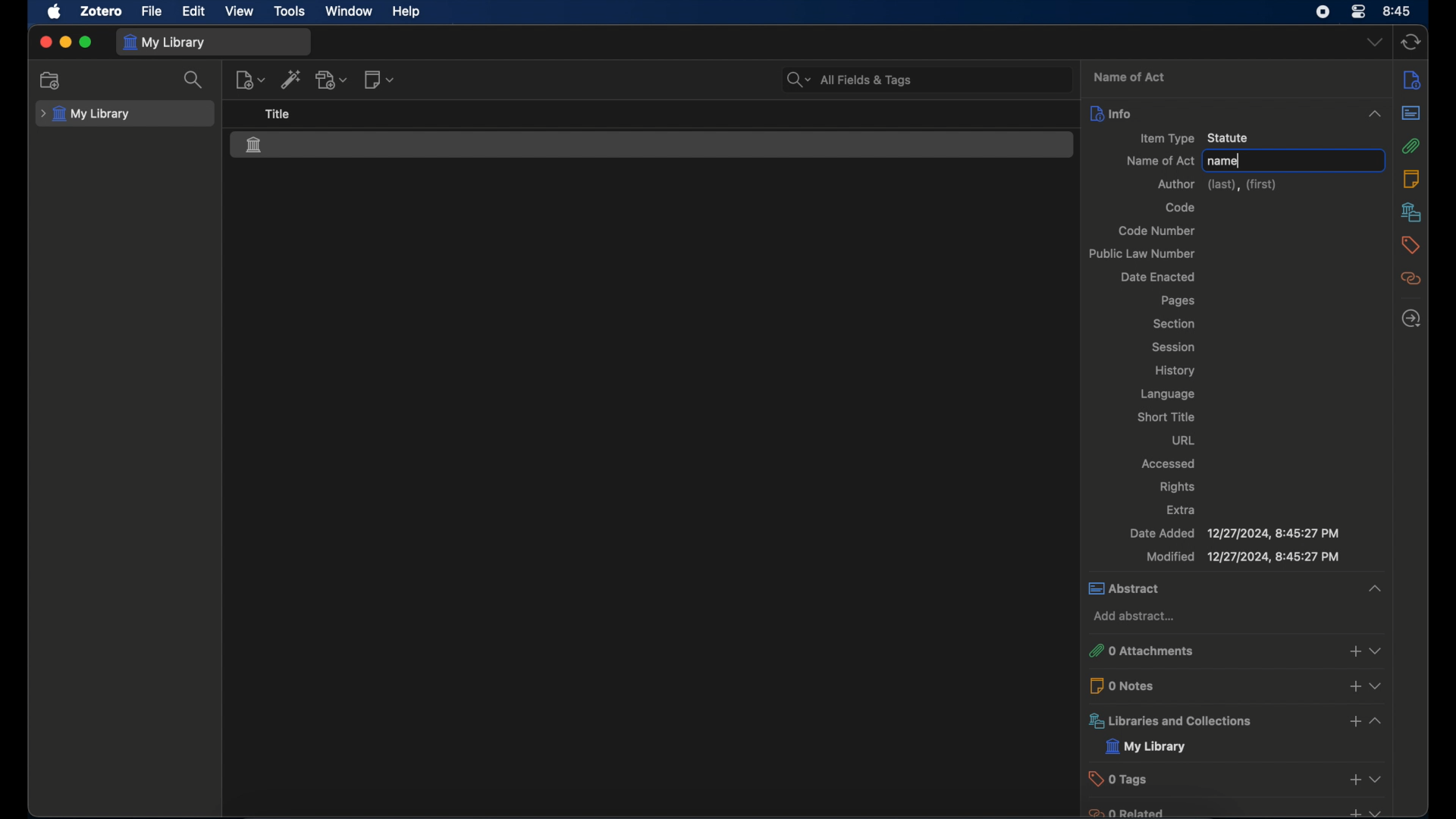 Image resolution: width=1456 pixels, height=819 pixels. I want to click on abstract, so click(1216, 588).